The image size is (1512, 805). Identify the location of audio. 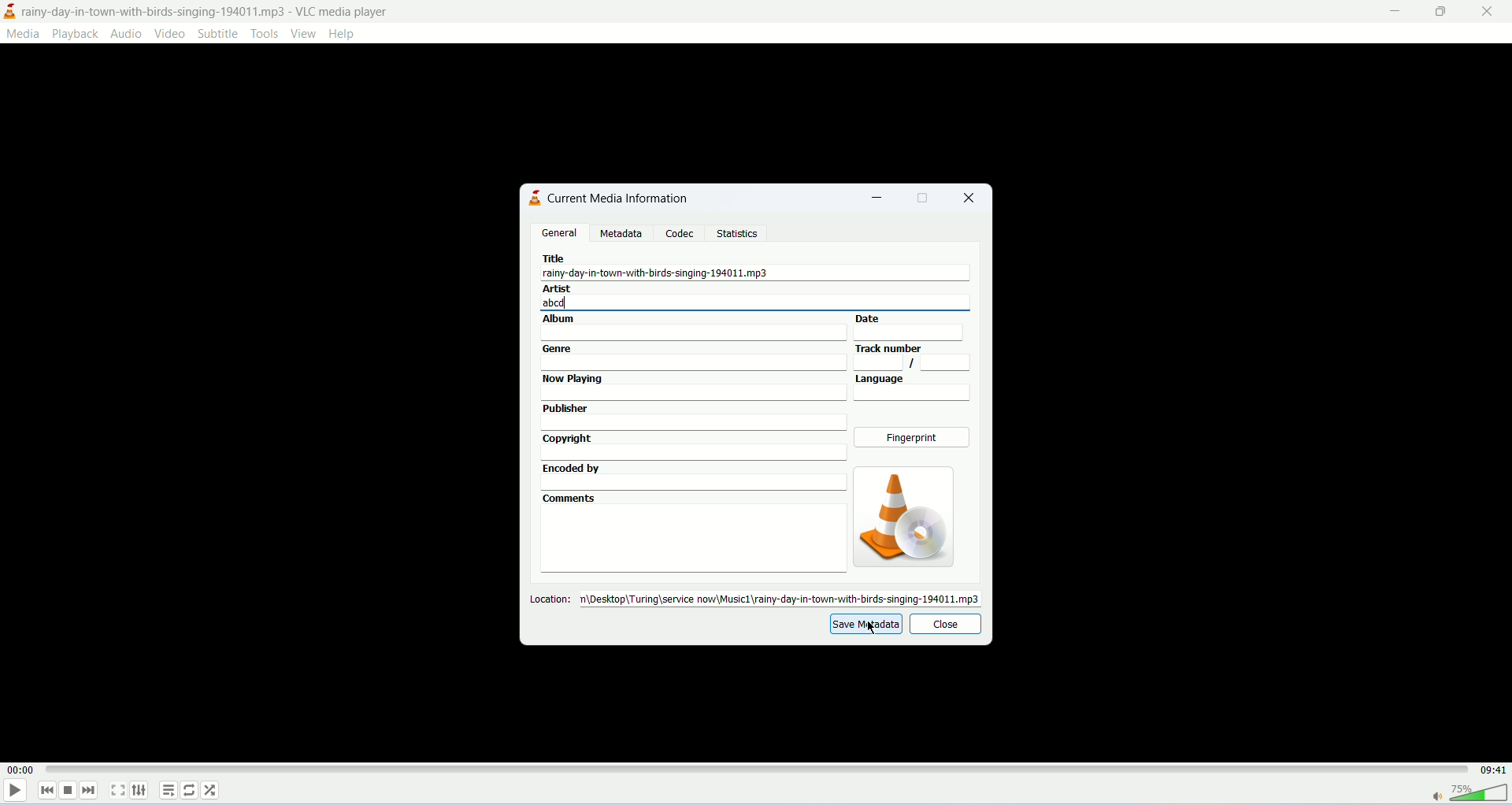
(128, 33).